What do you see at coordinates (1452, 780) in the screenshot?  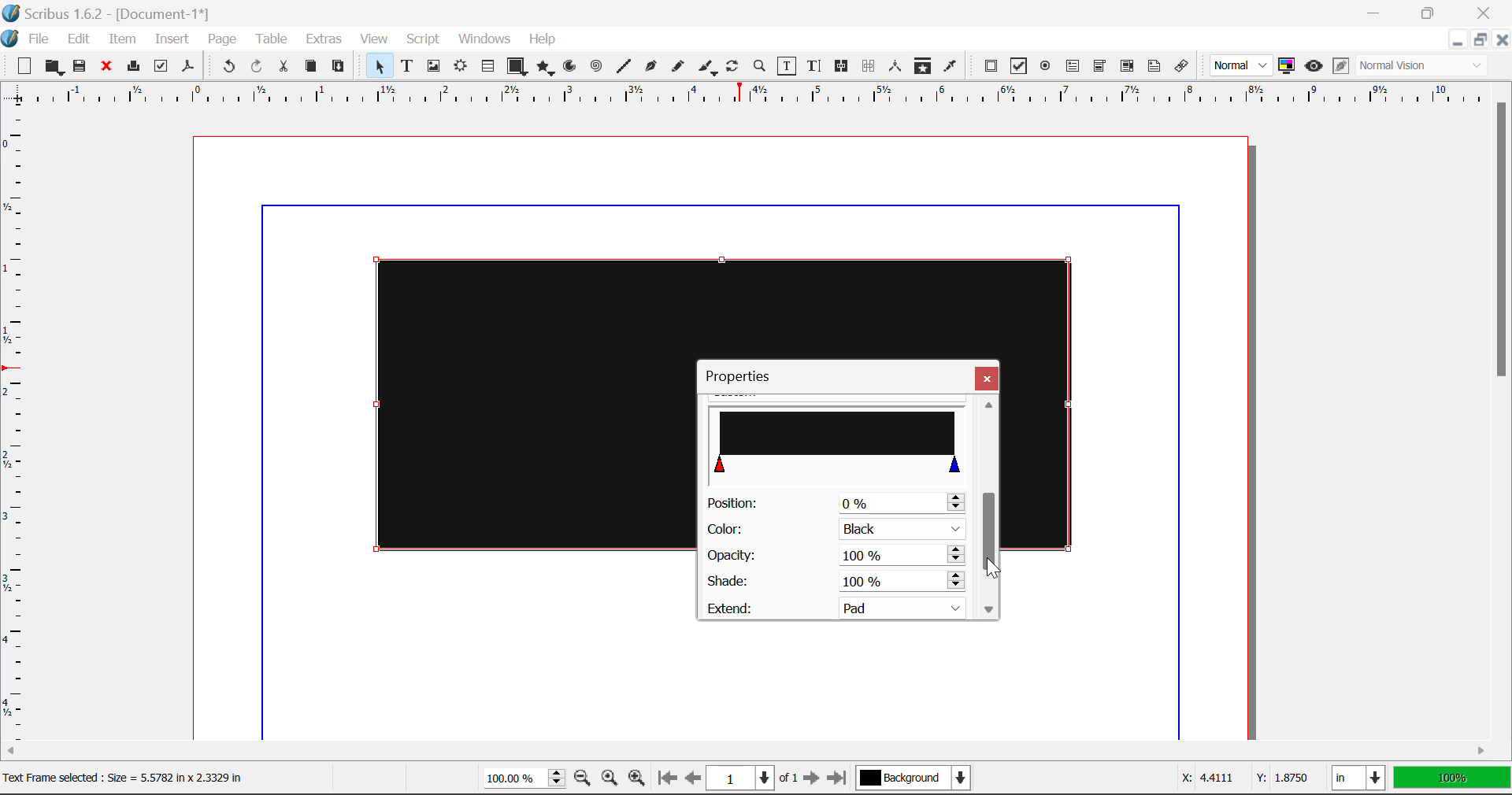 I see `Display Measurement` at bounding box center [1452, 780].